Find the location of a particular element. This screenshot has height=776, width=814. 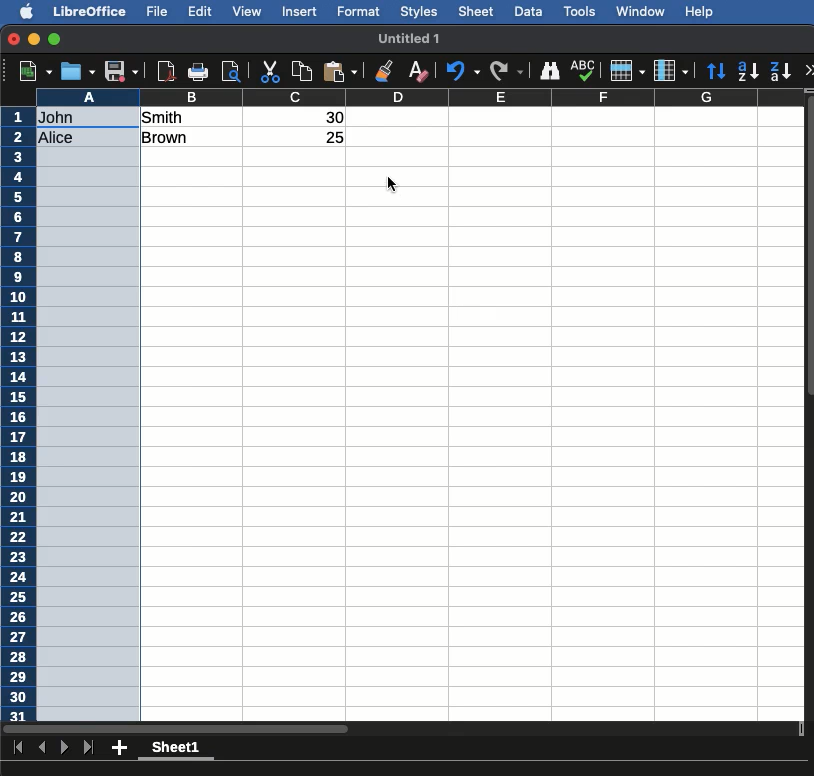

Last sheet is located at coordinates (88, 748).